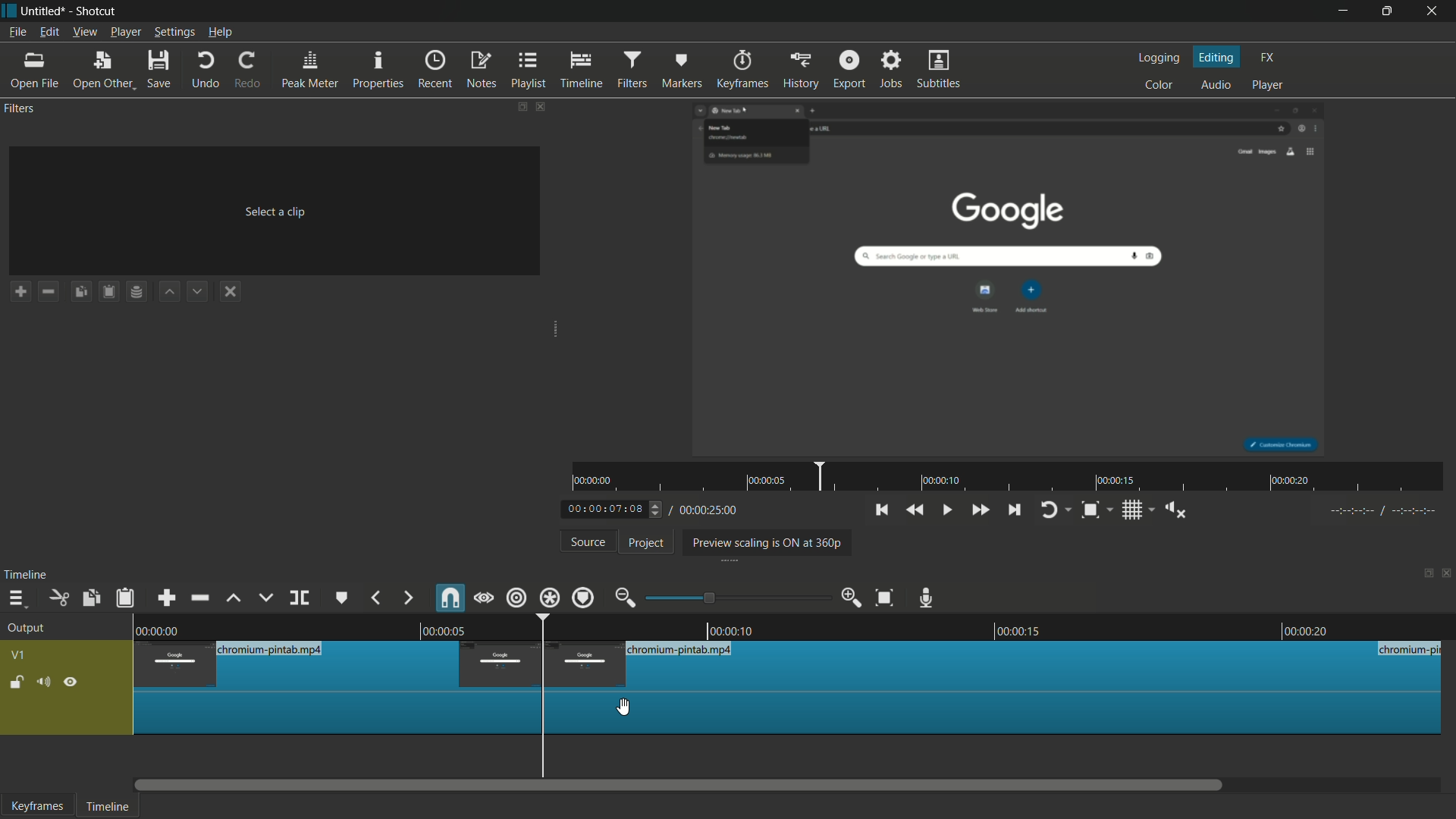 This screenshot has height=819, width=1456. What do you see at coordinates (1447, 575) in the screenshot?
I see `close timeline` at bounding box center [1447, 575].